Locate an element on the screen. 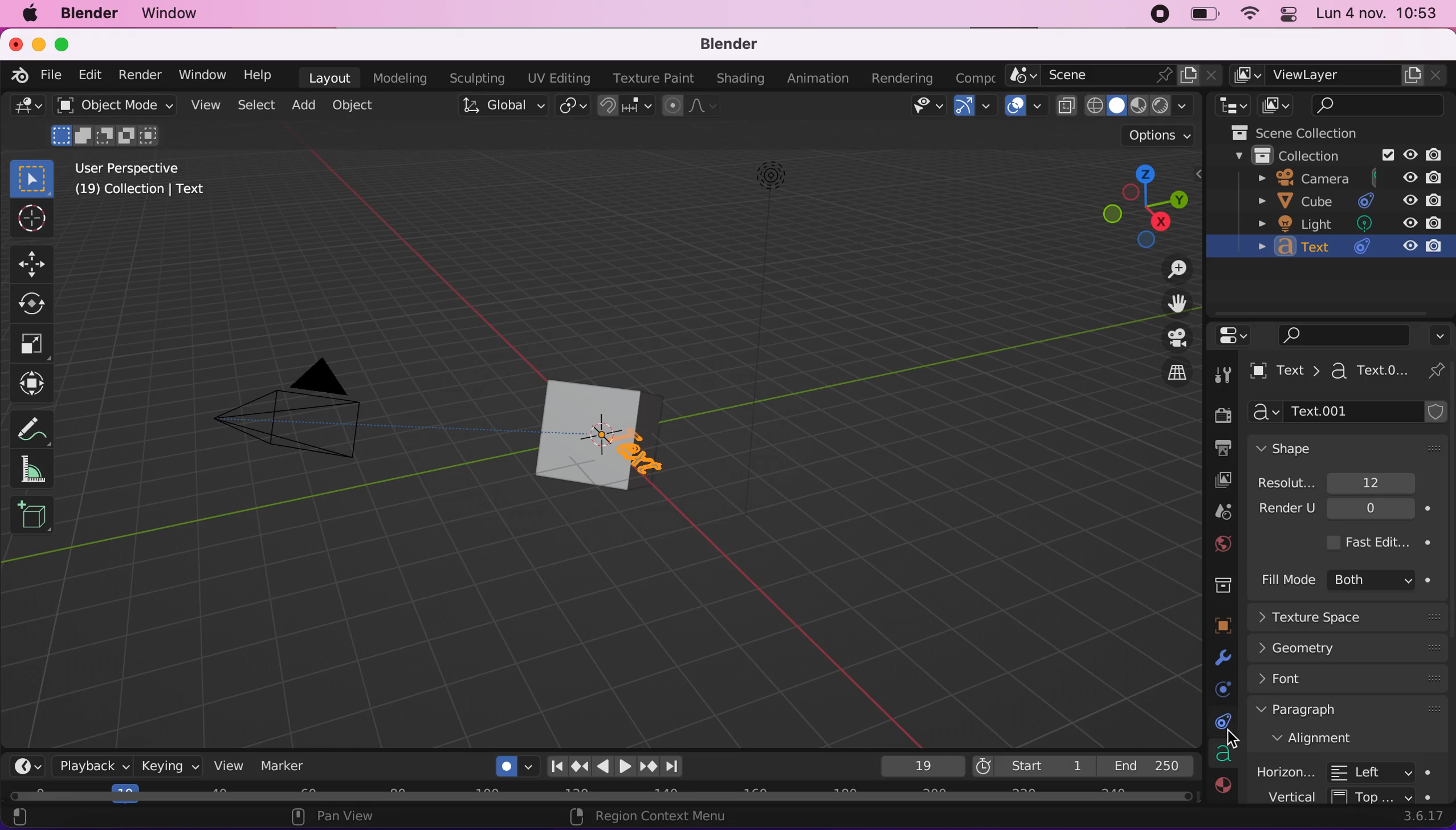 The height and width of the screenshot is (830, 1456). display mode is located at coordinates (1279, 105).